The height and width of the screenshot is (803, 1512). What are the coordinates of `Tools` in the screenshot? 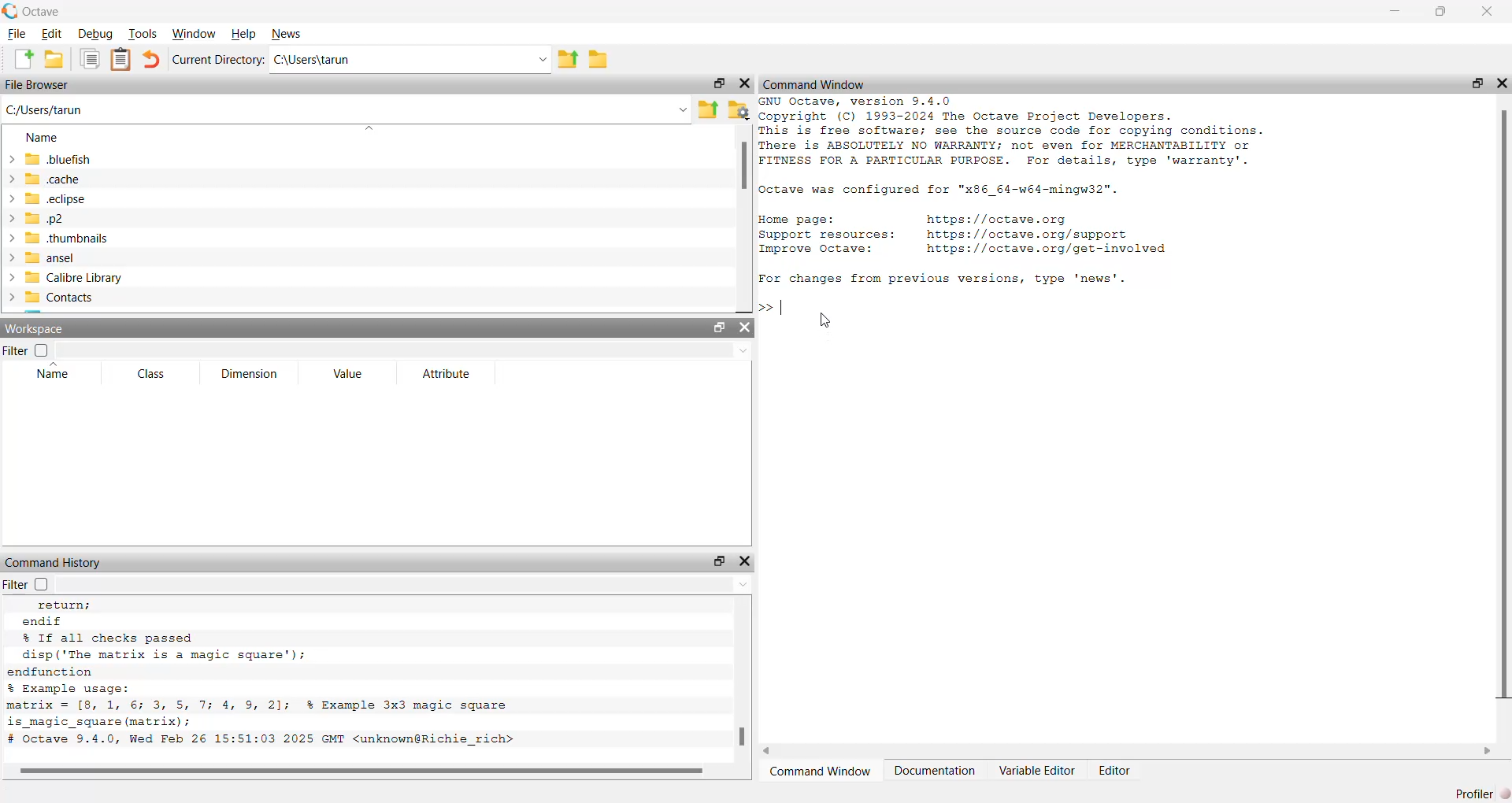 It's located at (143, 33).